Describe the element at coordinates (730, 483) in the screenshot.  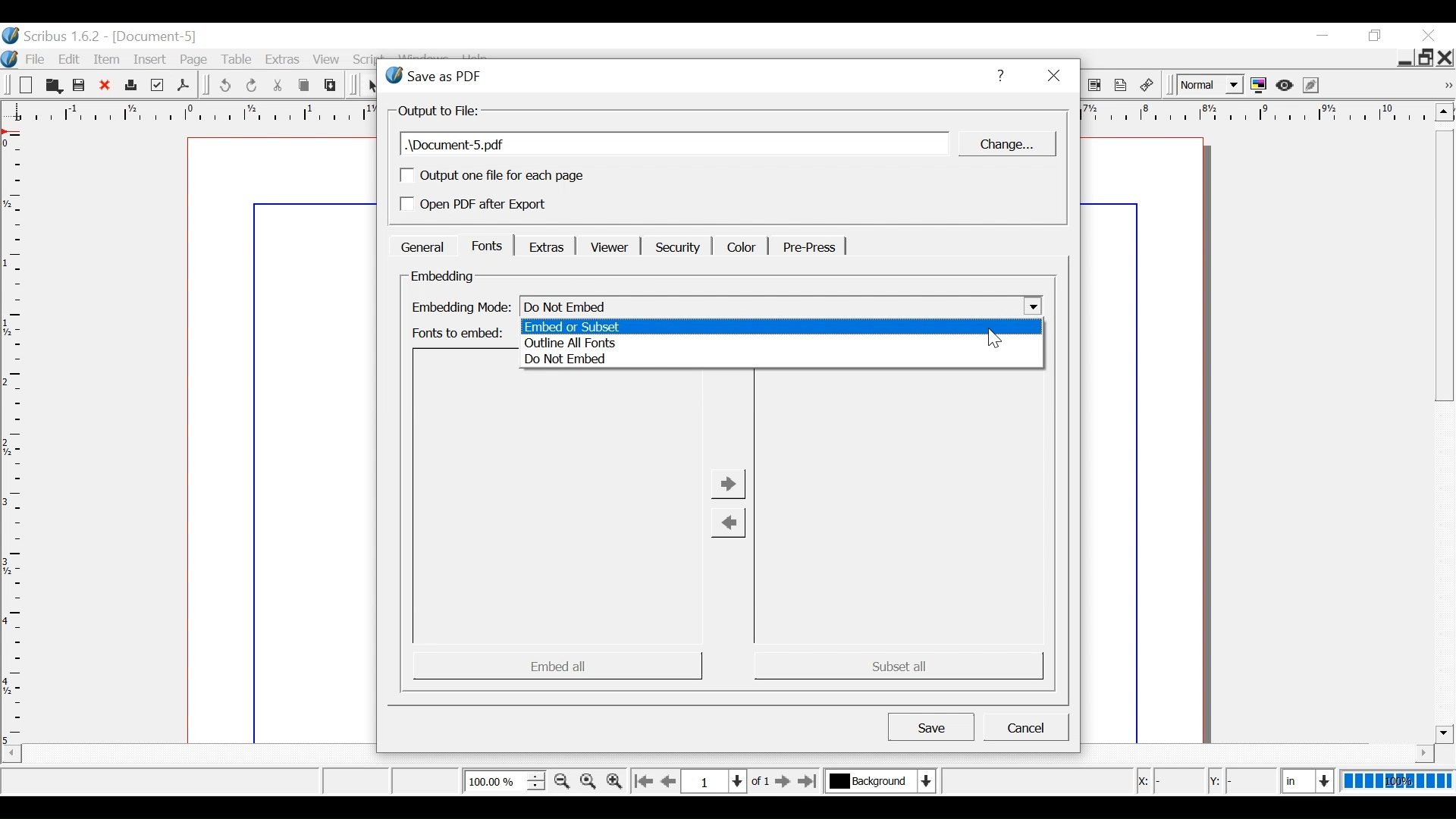
I see `Change to` at that location.